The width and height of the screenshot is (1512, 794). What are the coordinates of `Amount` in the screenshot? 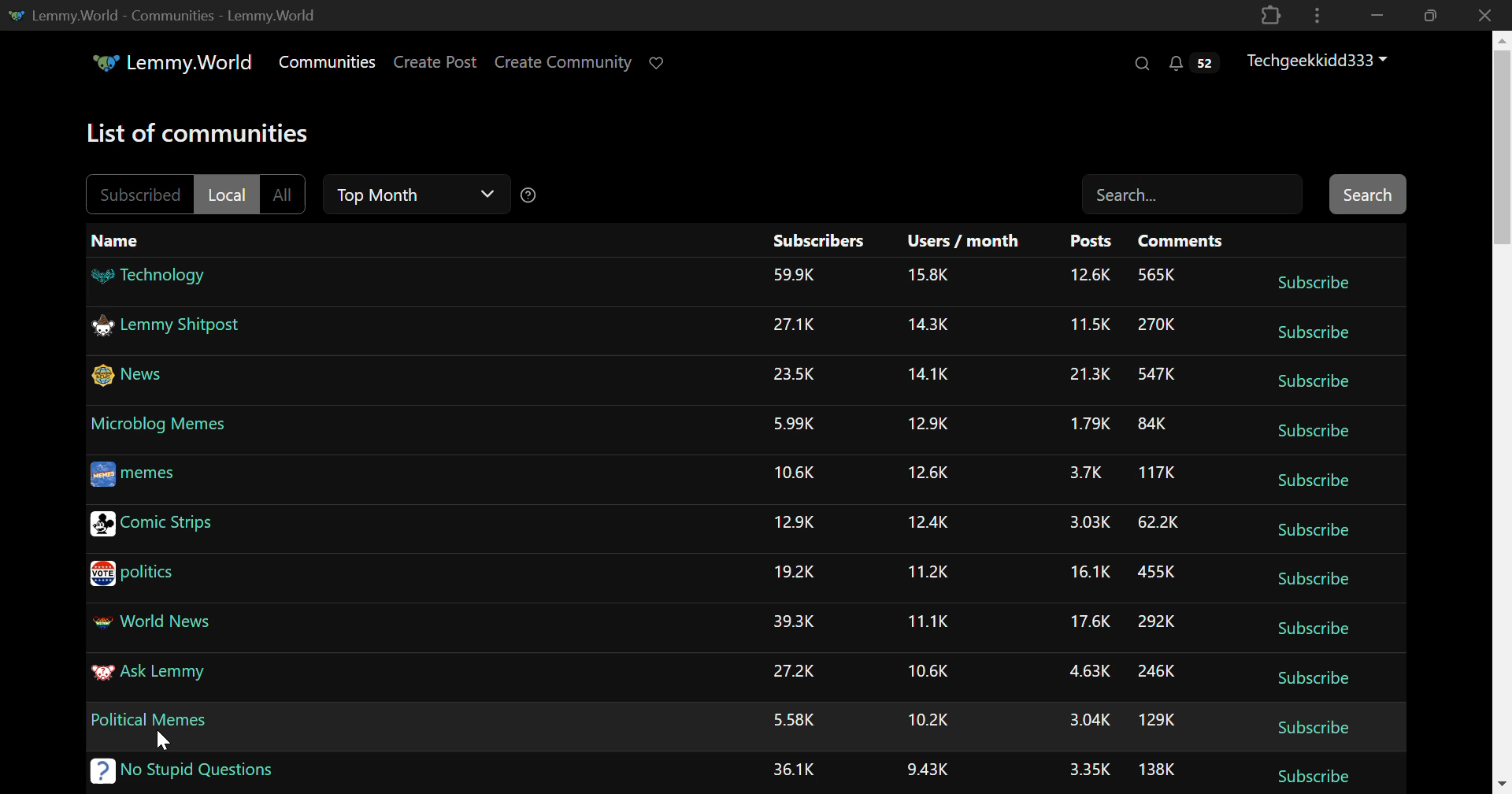 It's located at (1158, 671).